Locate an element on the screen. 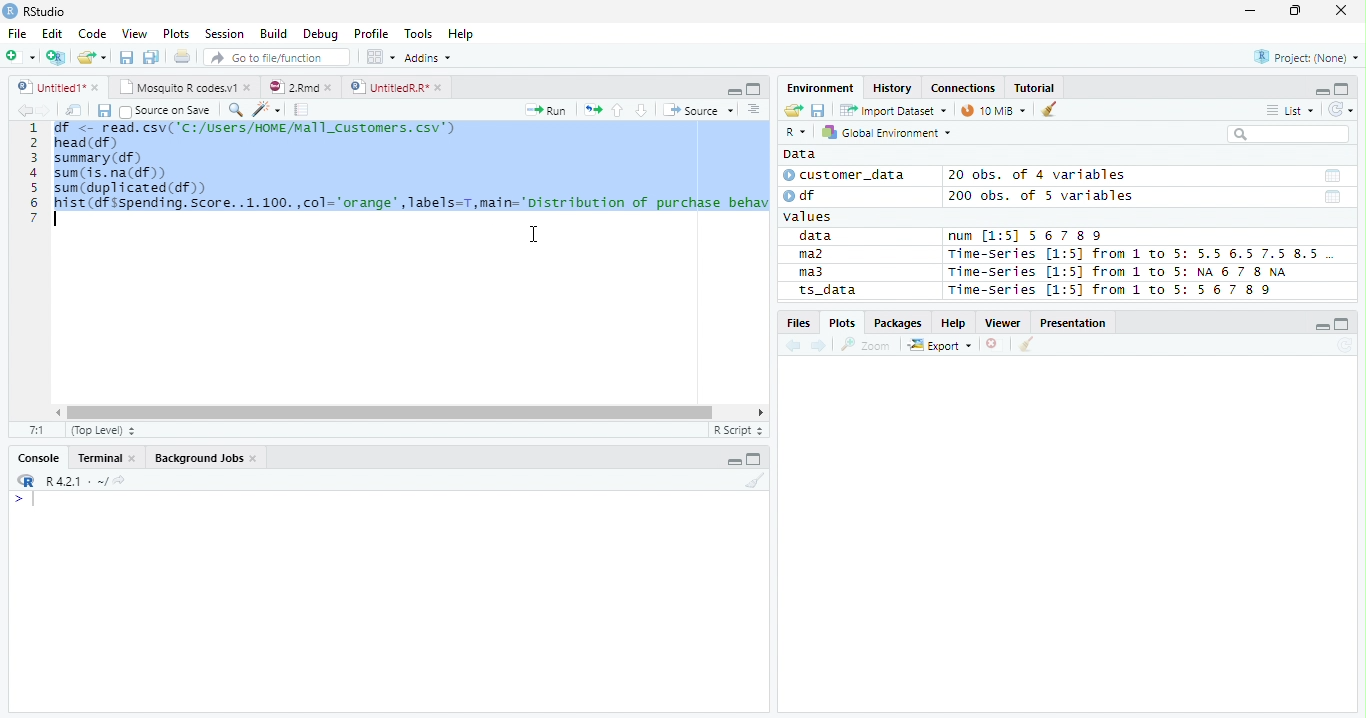 The height and width of the screenshot is (718, 1366). Clean is located at coordinates (755, 482).